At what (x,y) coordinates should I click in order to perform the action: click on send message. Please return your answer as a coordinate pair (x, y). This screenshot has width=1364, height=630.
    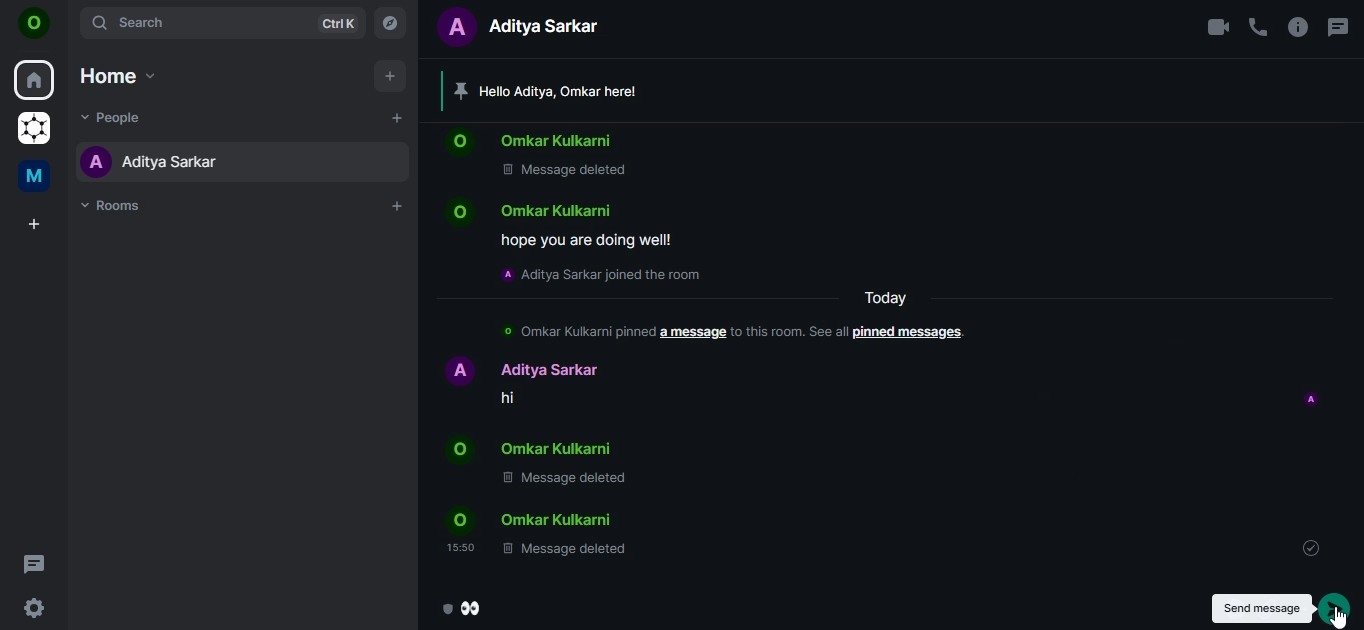
    Looking at the image, I should click on (1335, 608).